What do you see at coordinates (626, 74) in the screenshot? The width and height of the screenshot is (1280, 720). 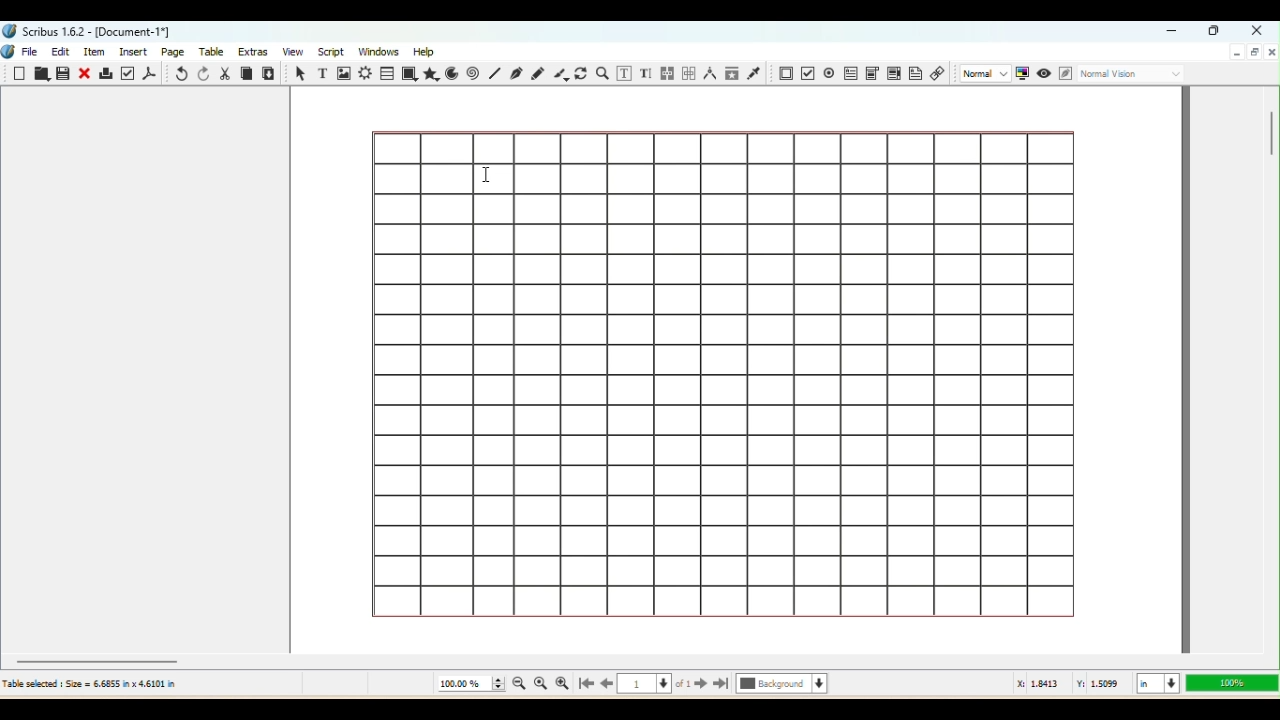 I see `Edit contents of Frame` at bounding box center [626, 74].